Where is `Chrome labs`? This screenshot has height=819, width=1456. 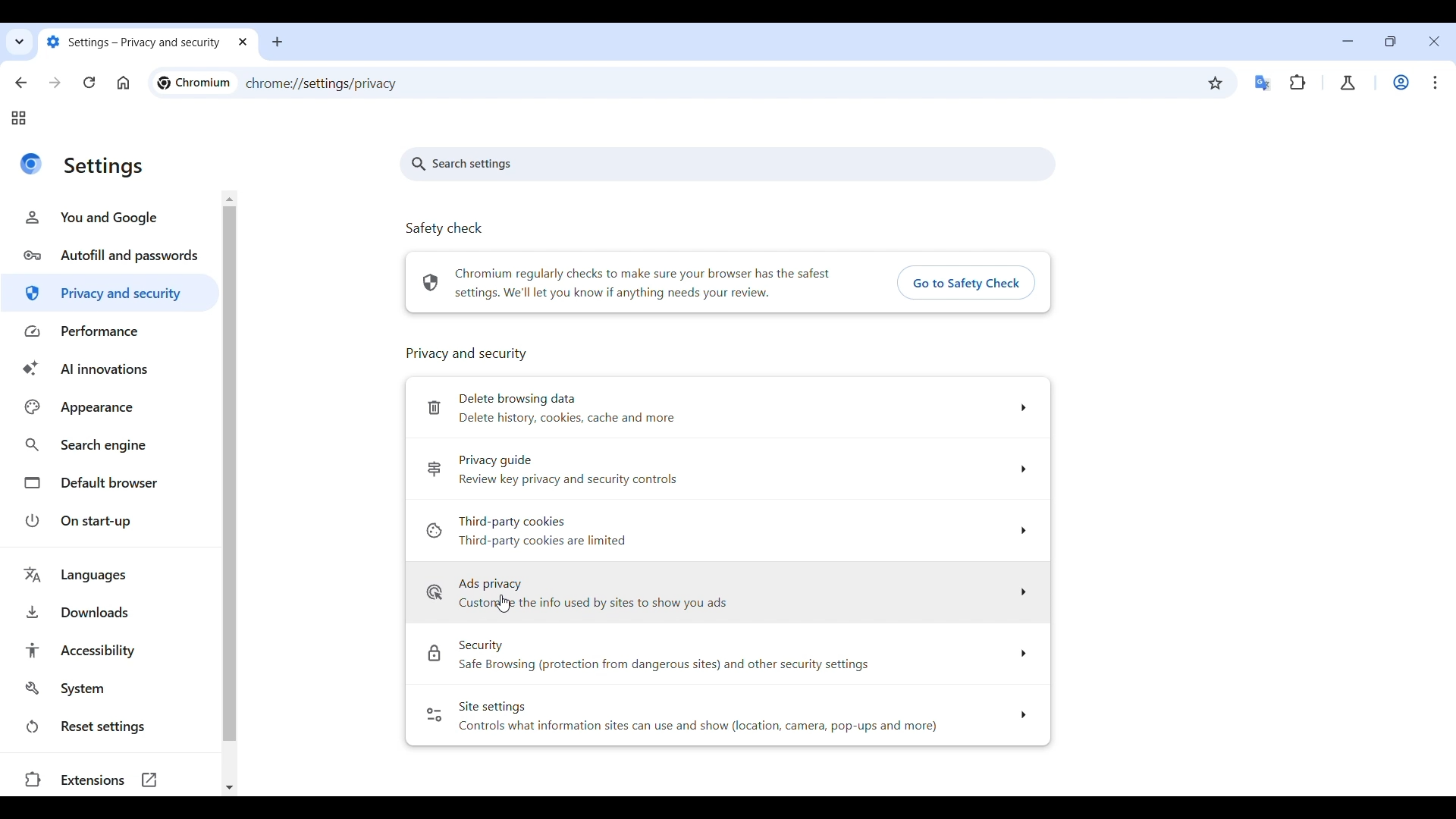
Chrome labs is located at coordinates (1348, 83).